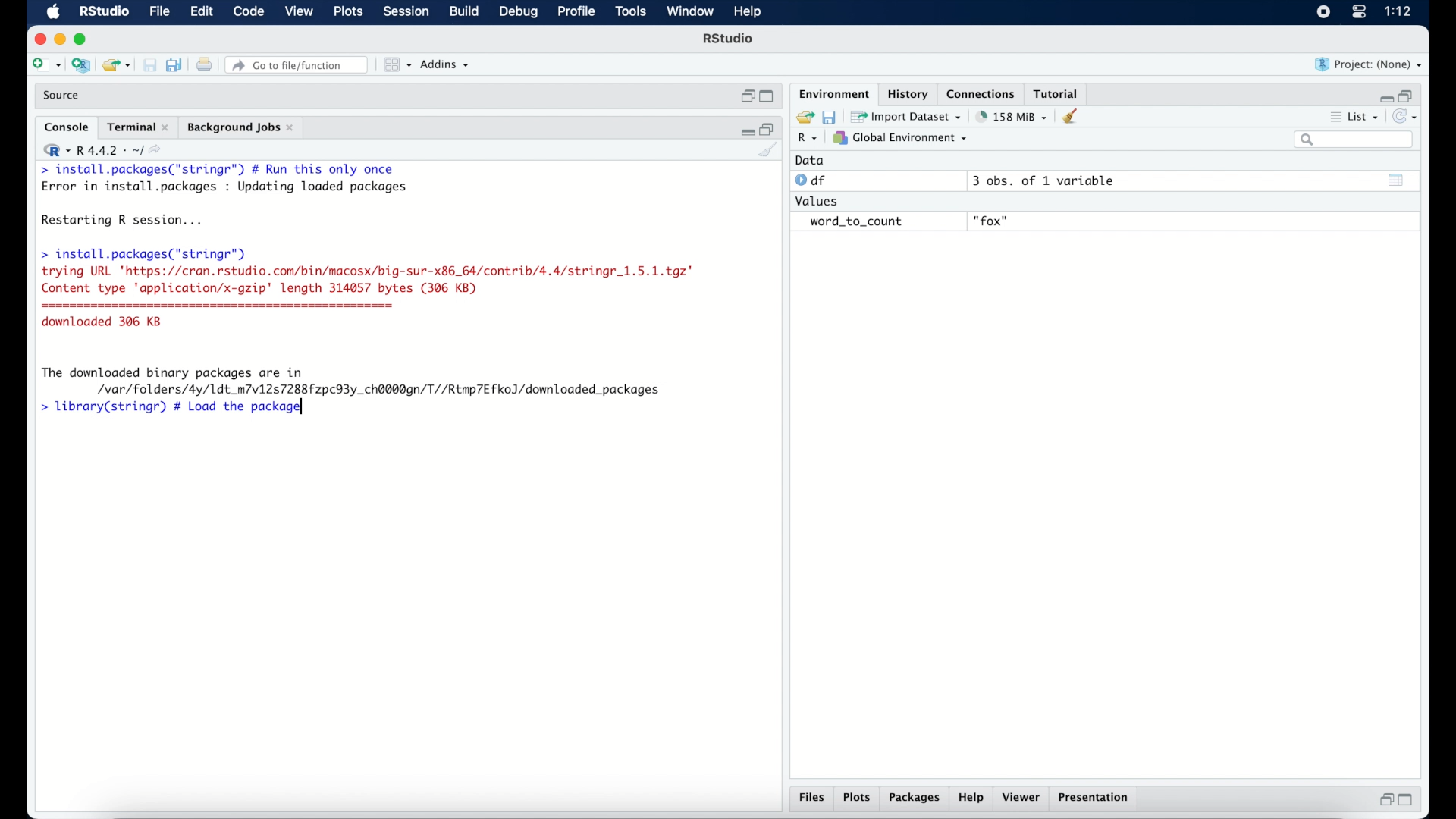 The width and height of the screenshot is (1456, 819). Describe the element at coordinates (1407, 117) in the screenshot. I see `refresh` at that location.